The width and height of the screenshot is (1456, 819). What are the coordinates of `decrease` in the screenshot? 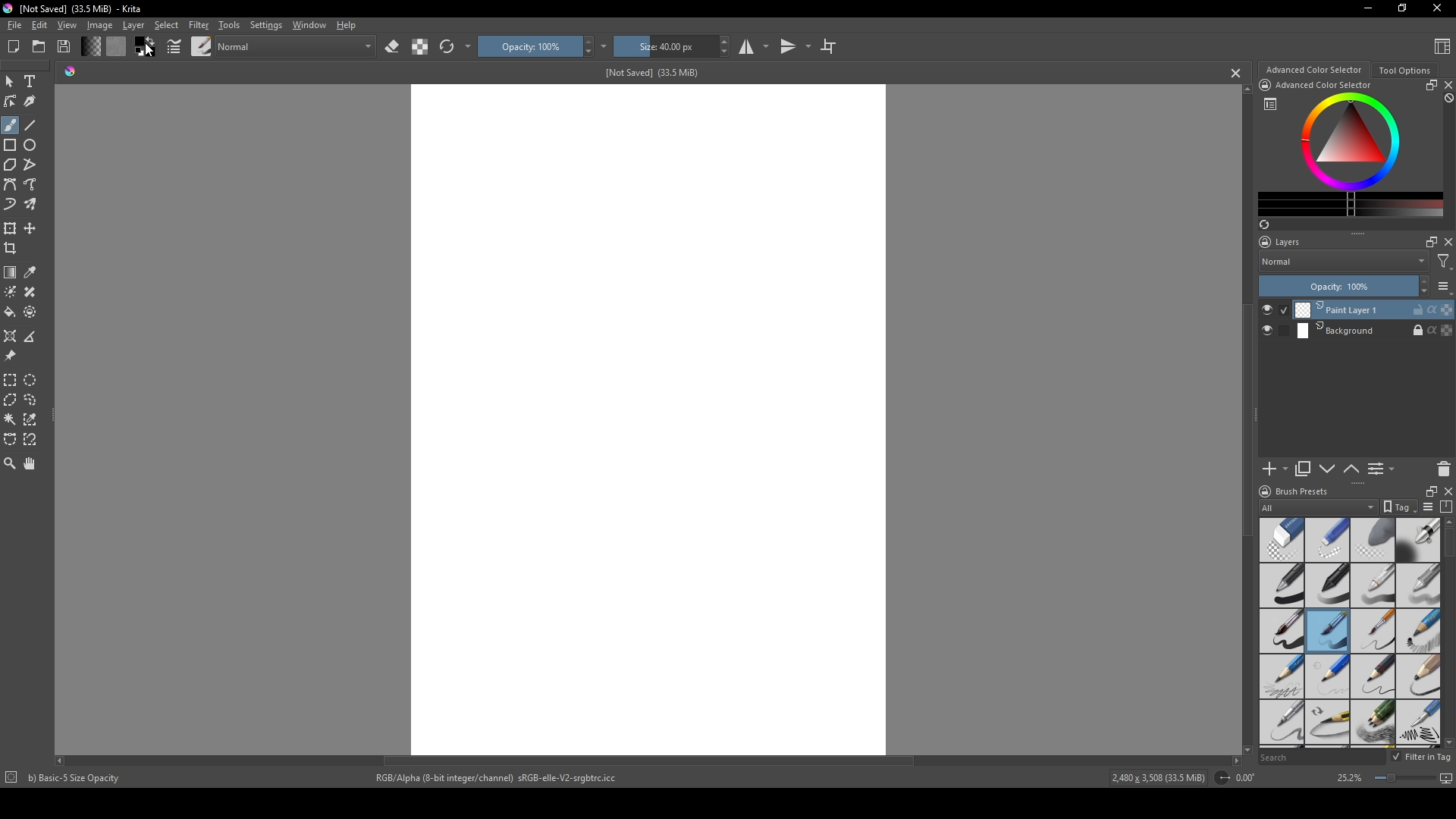 It's located at (1423, 293).